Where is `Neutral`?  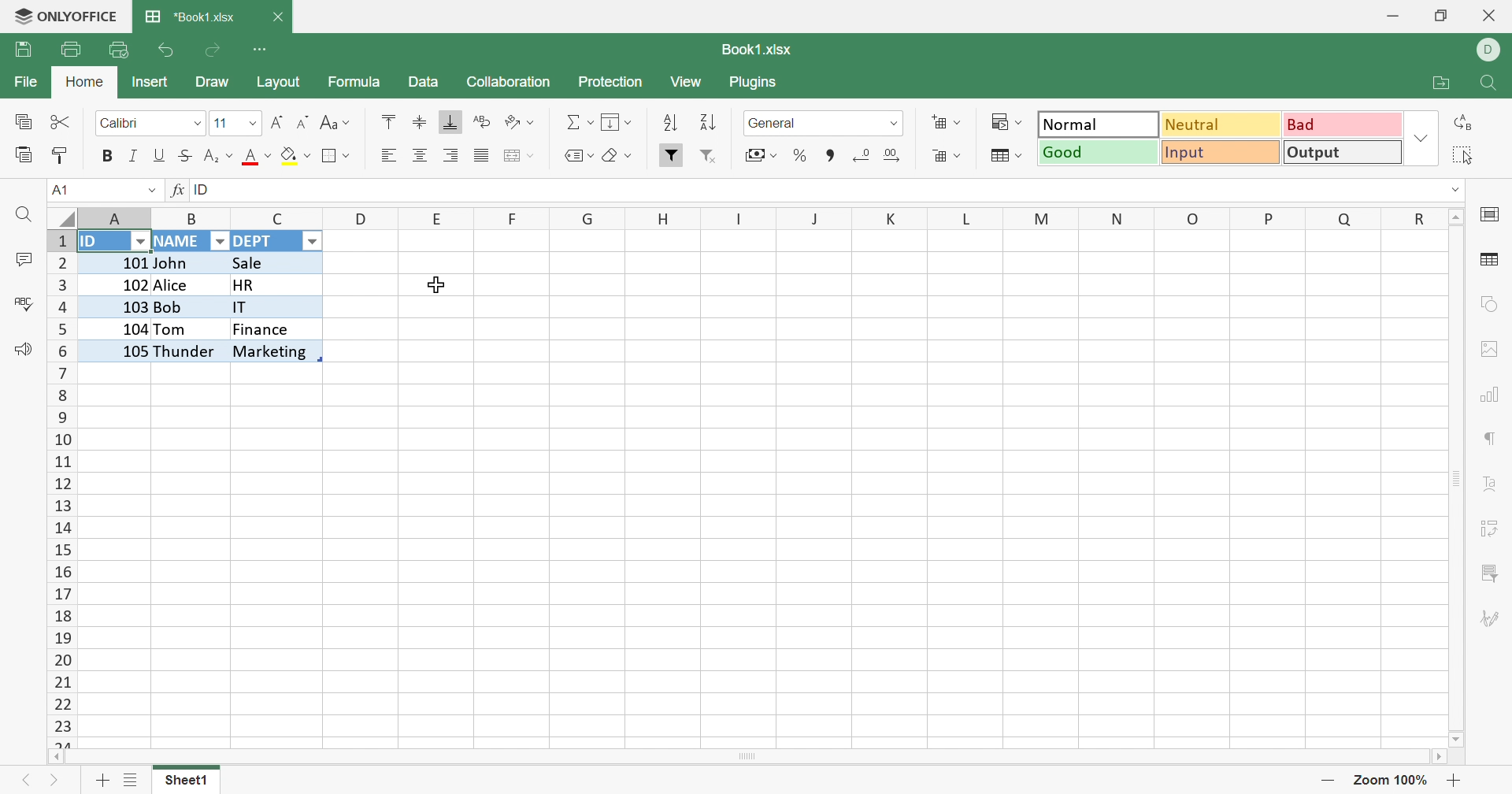
Neutral is located at coordinates (1222, 124).